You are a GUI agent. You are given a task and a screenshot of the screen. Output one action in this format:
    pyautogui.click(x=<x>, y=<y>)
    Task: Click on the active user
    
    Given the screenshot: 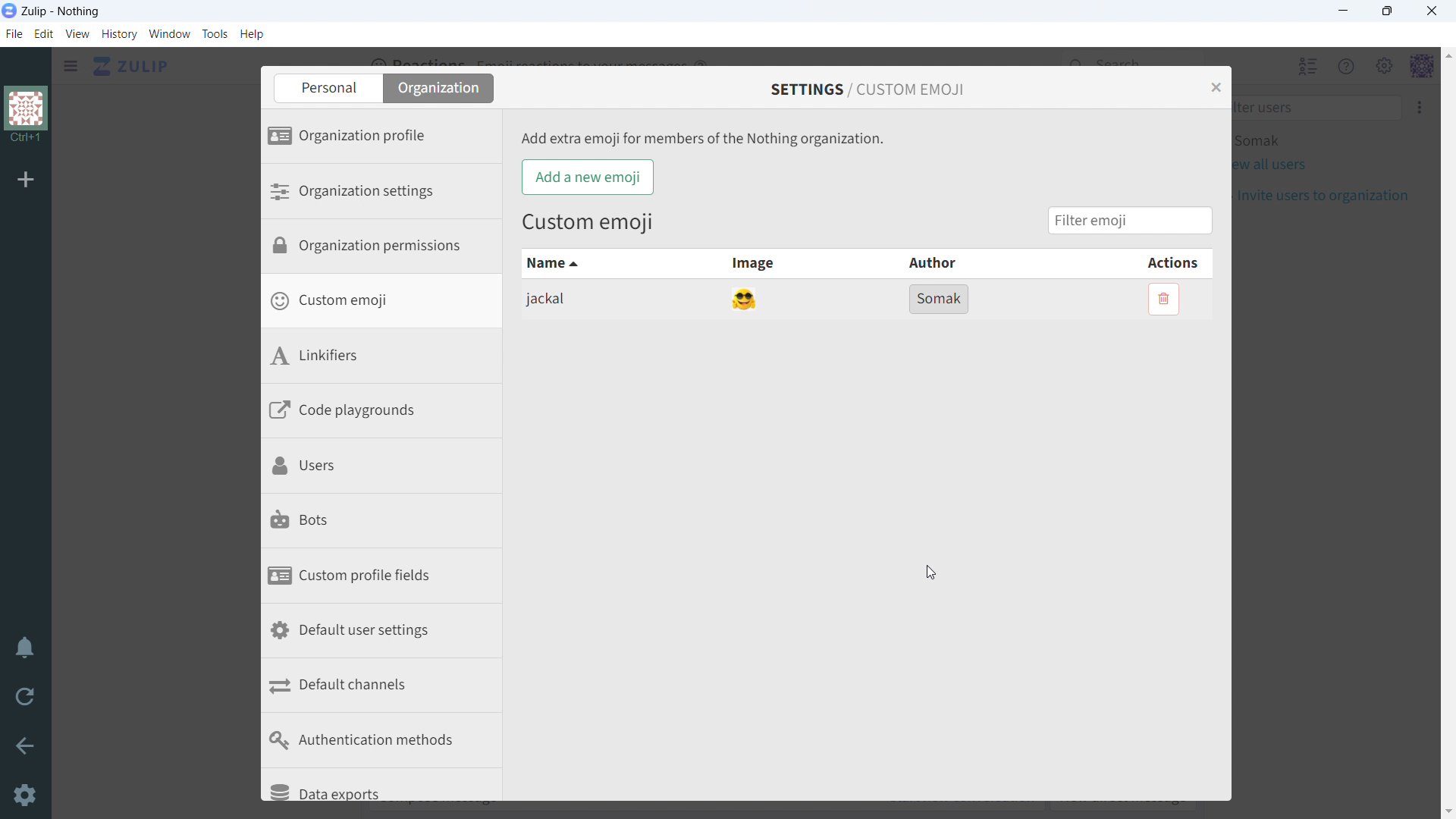 What is the action you would take?
    pyautogui.click(x=1267, y=141)
    